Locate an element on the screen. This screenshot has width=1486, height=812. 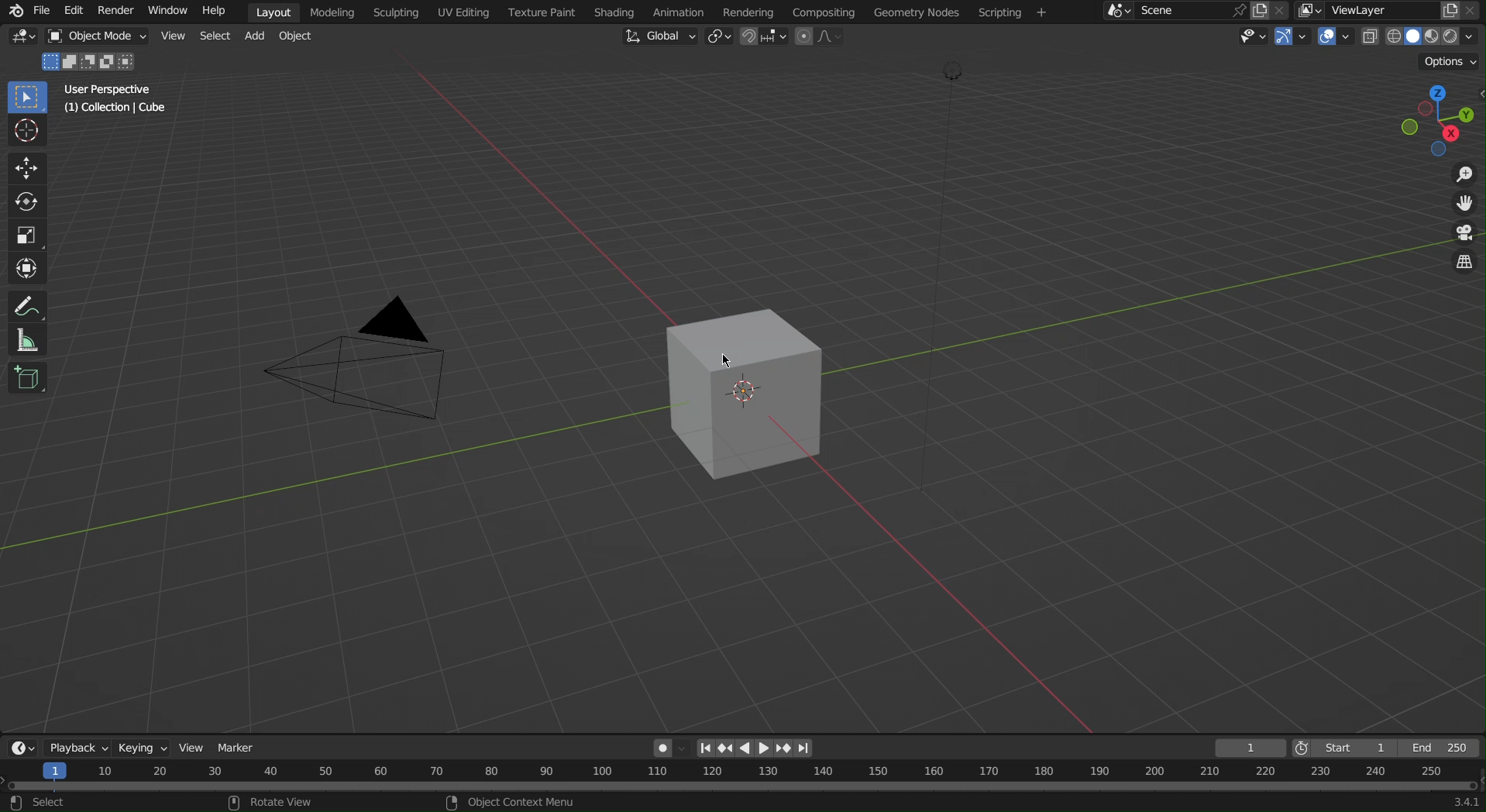
Viewport is located at coordinates (1439, 122).